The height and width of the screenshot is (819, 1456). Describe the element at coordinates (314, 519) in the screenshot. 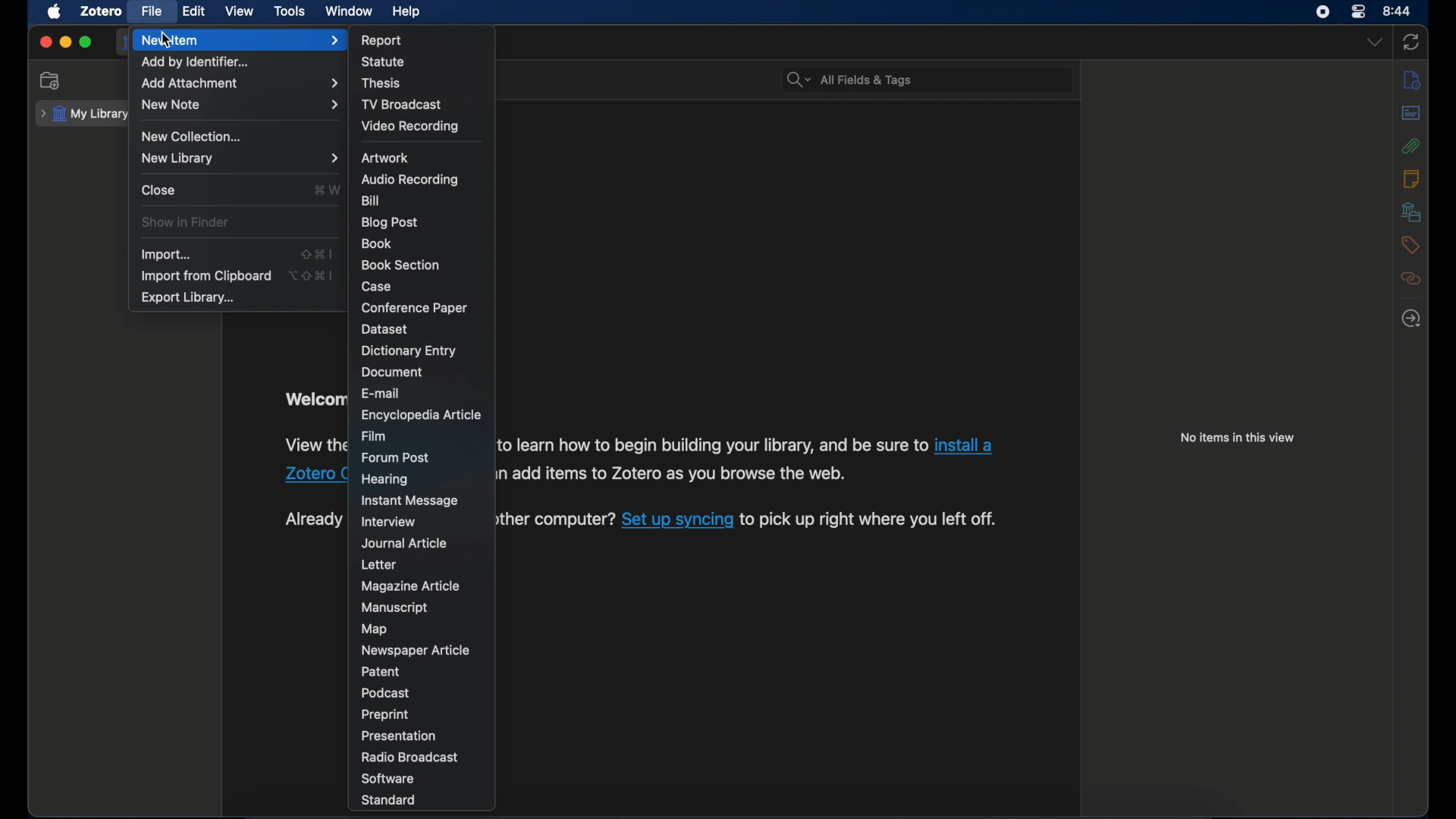

I see `text` at that location.